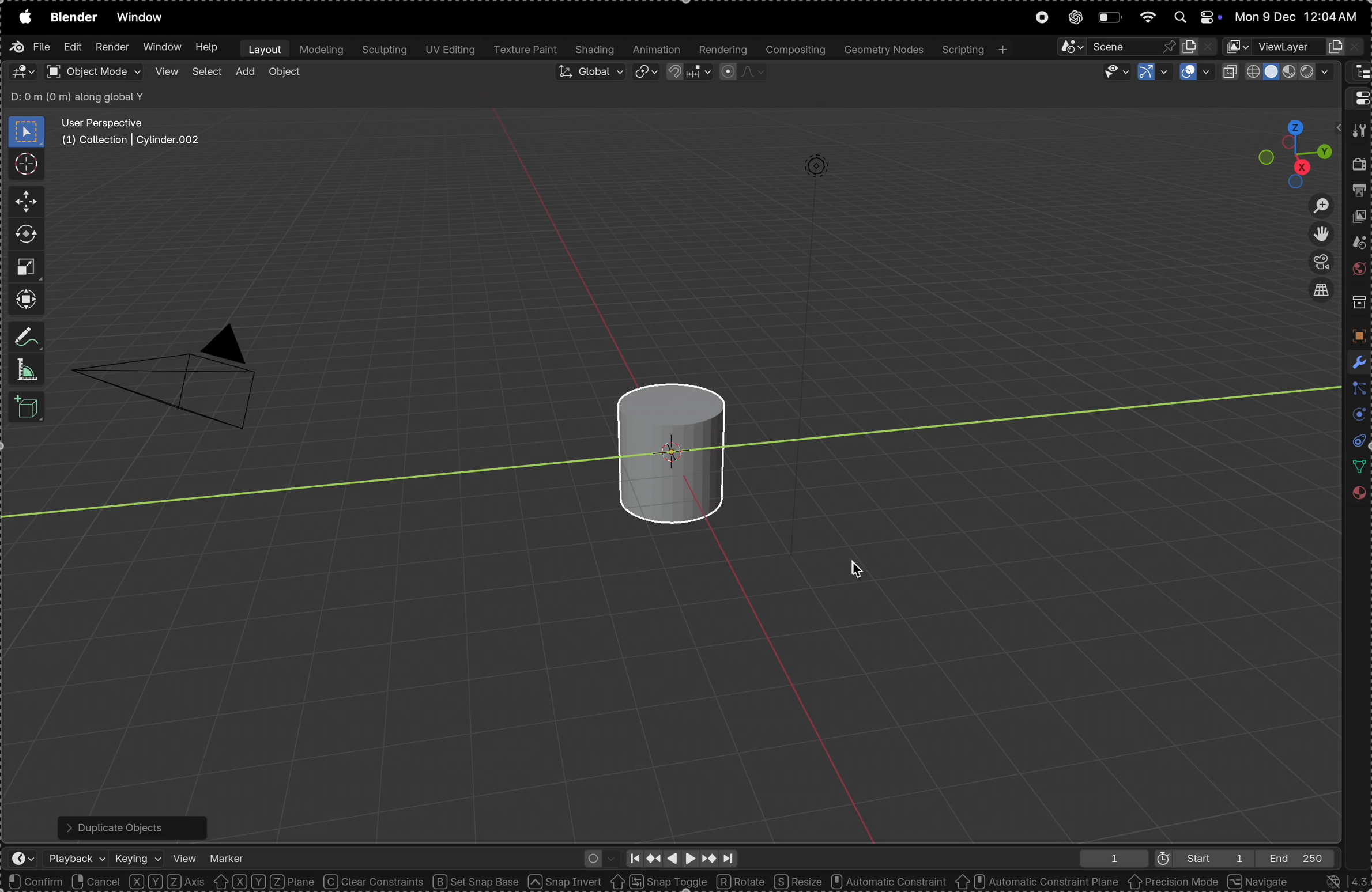 The height and width of the screenshot is (892, 1372). I want to click on show gimzo, so click(1151, 73).